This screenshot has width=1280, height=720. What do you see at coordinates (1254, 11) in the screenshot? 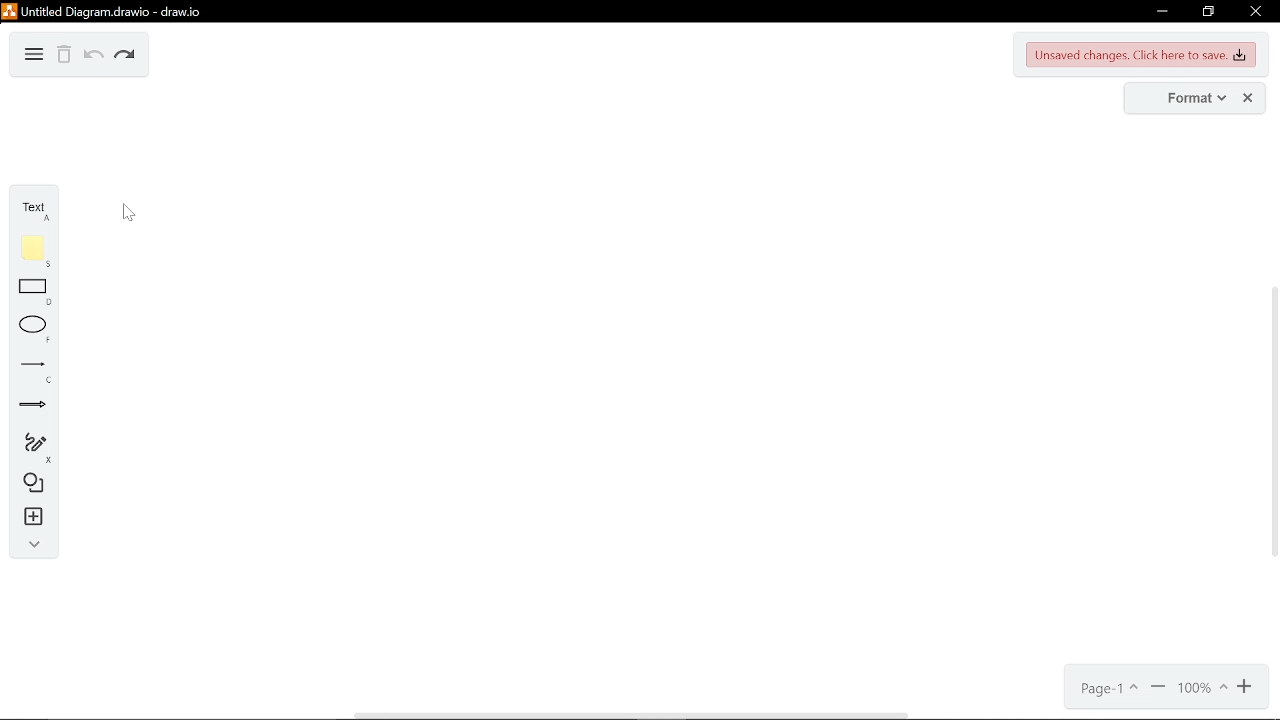
I see `close` at bounding box center [1254, 11].